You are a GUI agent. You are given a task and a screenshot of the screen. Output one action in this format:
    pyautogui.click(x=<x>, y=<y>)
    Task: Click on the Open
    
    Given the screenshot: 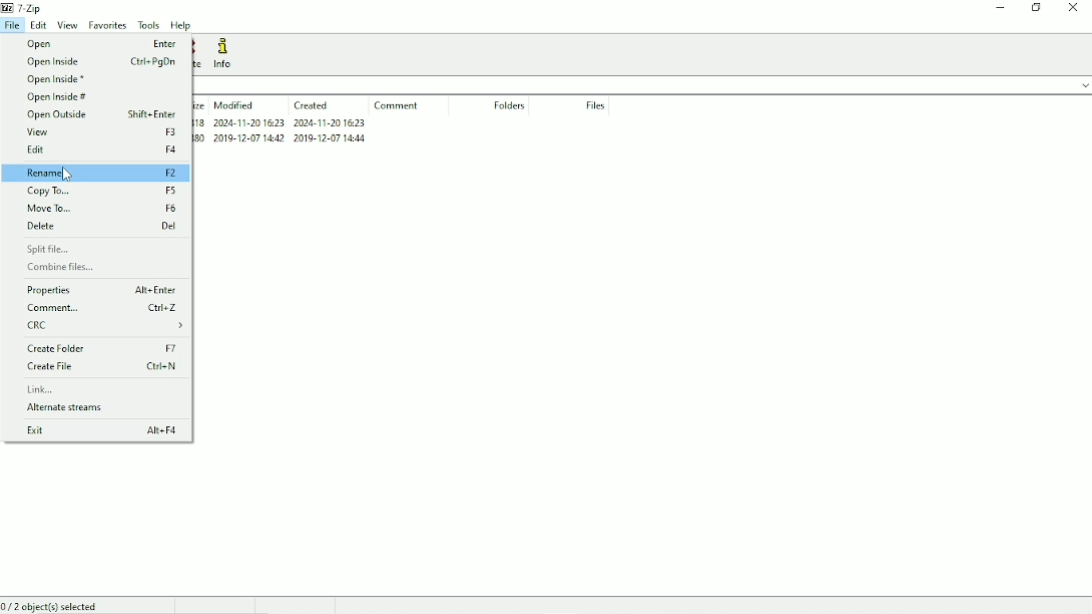 What is the action you would take?
    pyautogui.click(x=102, y=44)
    